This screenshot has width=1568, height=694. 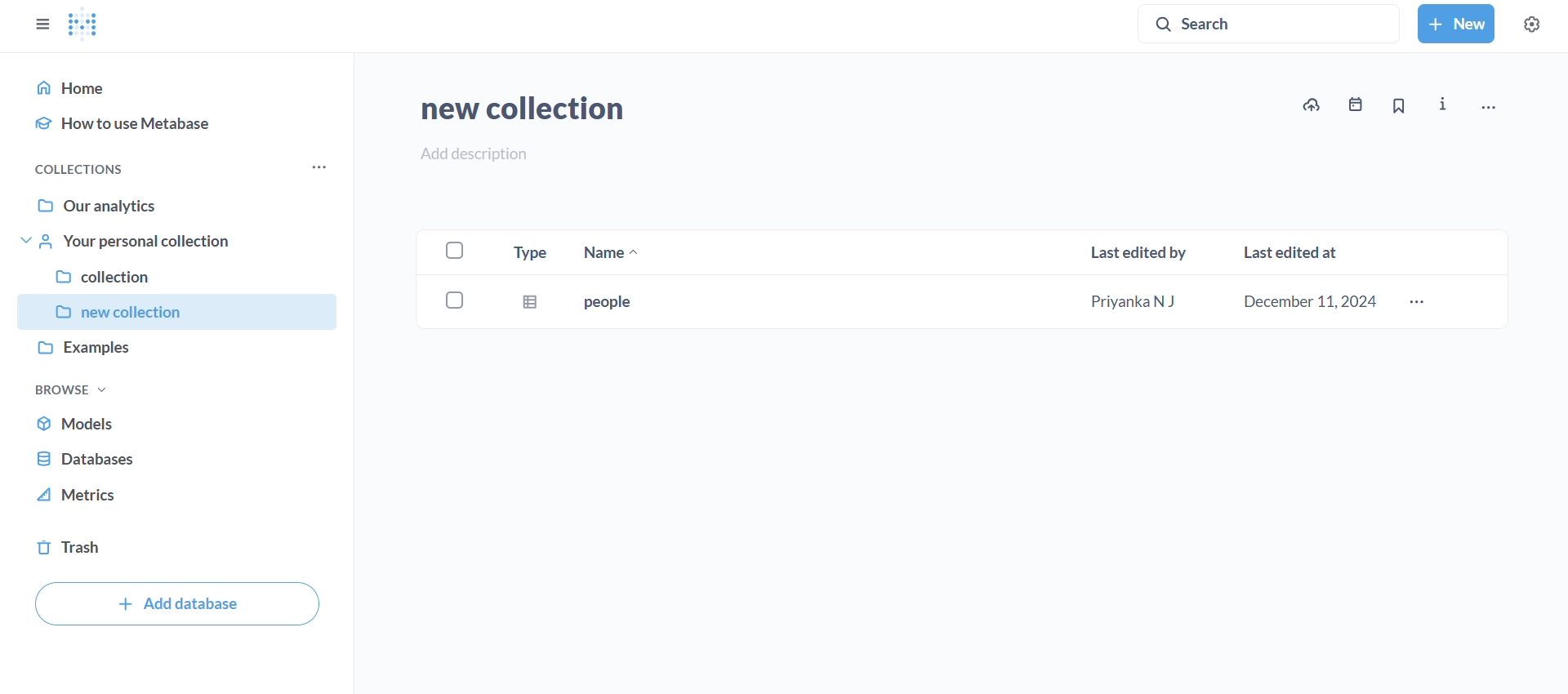 What do you see at coordinates (180, 500) in the screenshot?
I see `metrics` at bounding box center [180, 500].